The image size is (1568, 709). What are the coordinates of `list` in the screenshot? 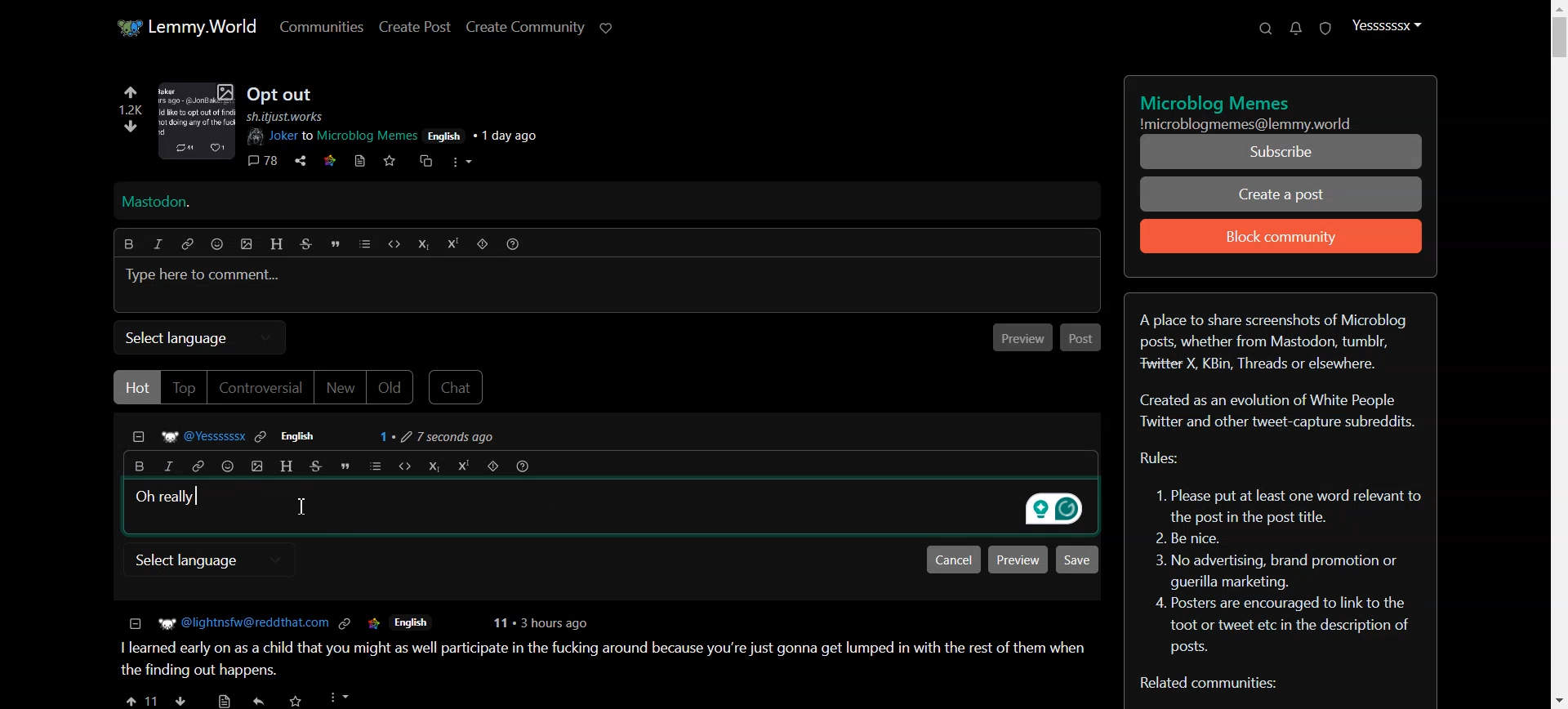 It's located at (372, 466).